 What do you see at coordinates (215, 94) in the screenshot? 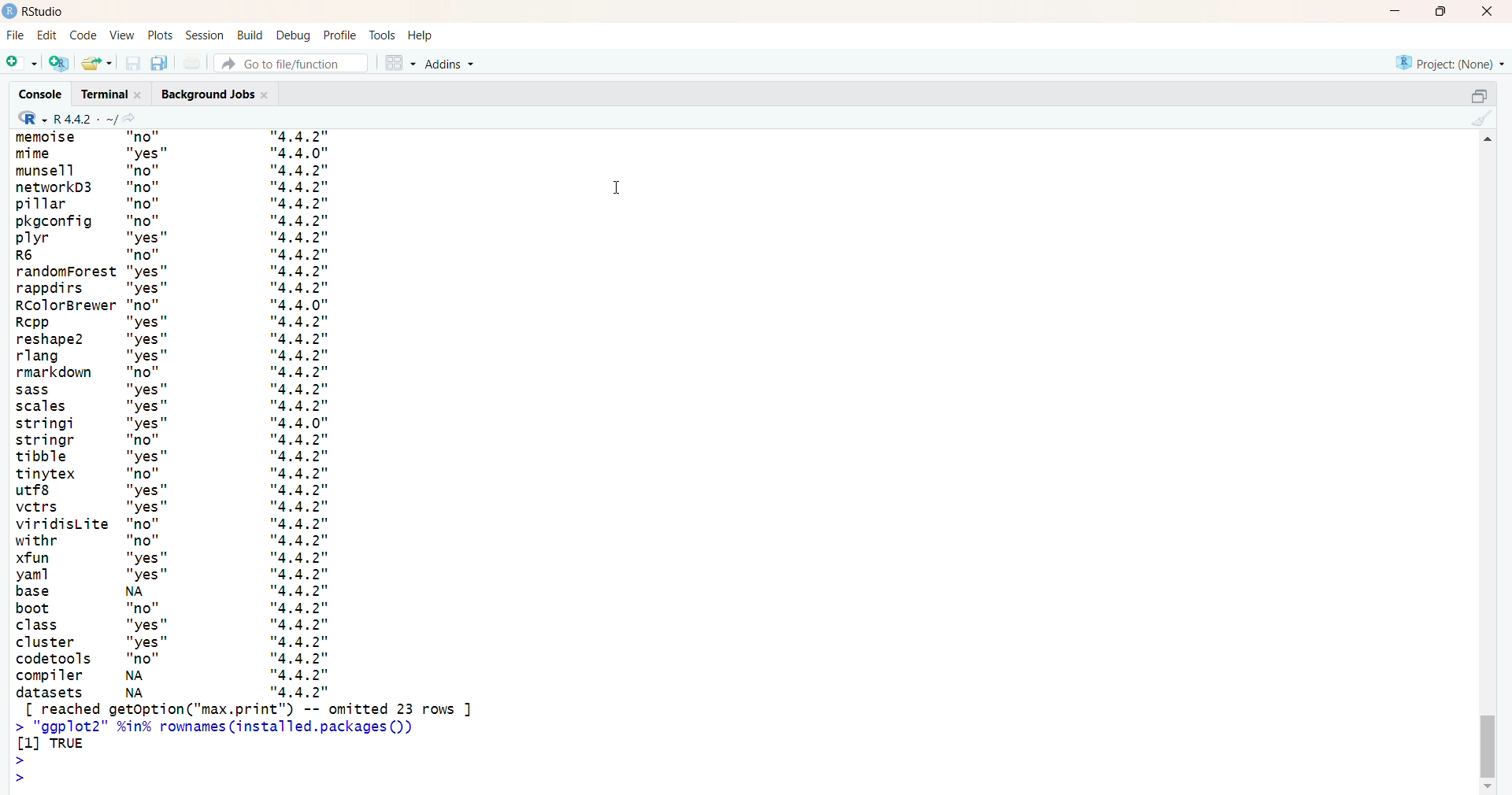
I see `background jobs` at bounding box center [215, 94].